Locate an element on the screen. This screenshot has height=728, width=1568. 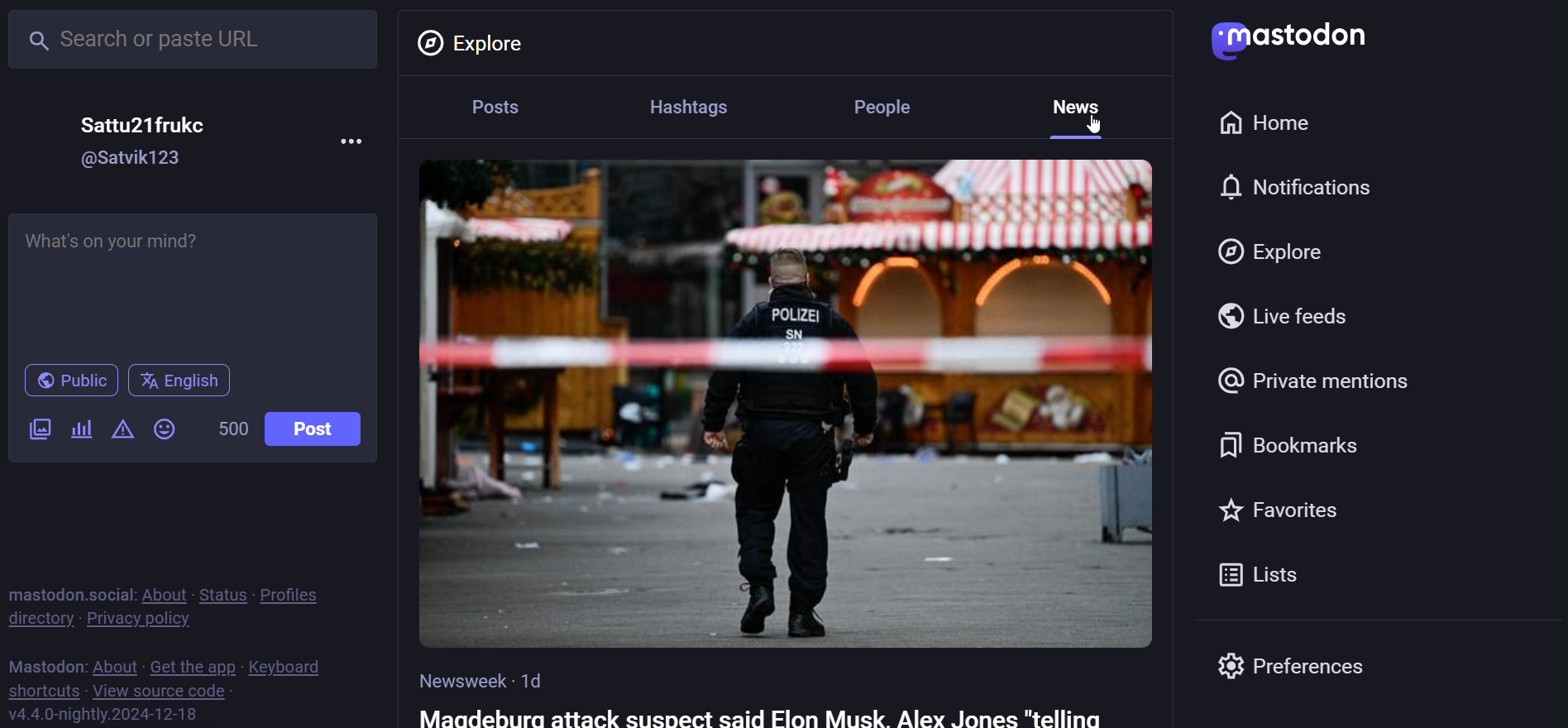
mastodon social is located at coordinates (64, 592).